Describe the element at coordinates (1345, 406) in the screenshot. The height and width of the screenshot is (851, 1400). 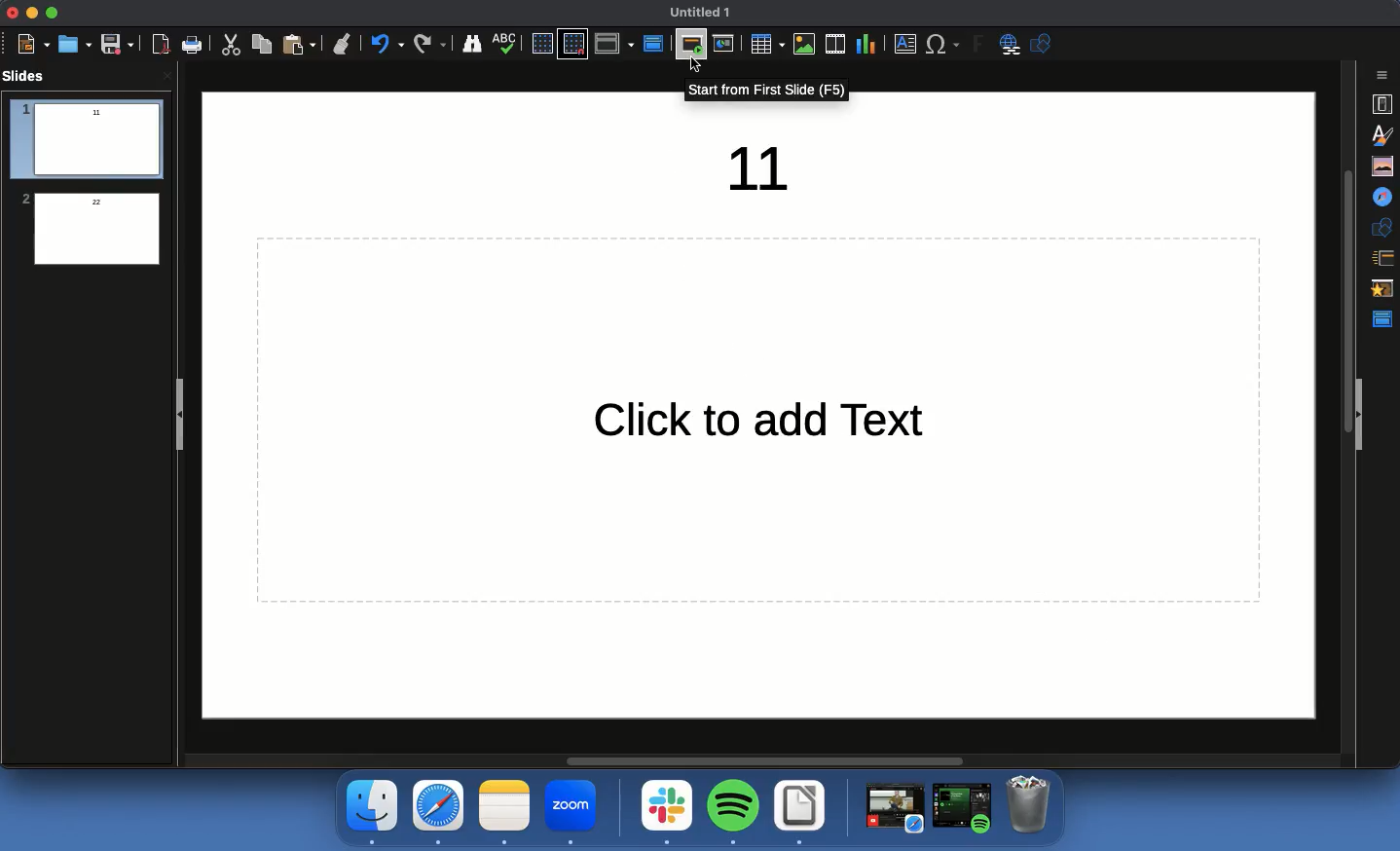
I see `vertical Scroll` at that location.